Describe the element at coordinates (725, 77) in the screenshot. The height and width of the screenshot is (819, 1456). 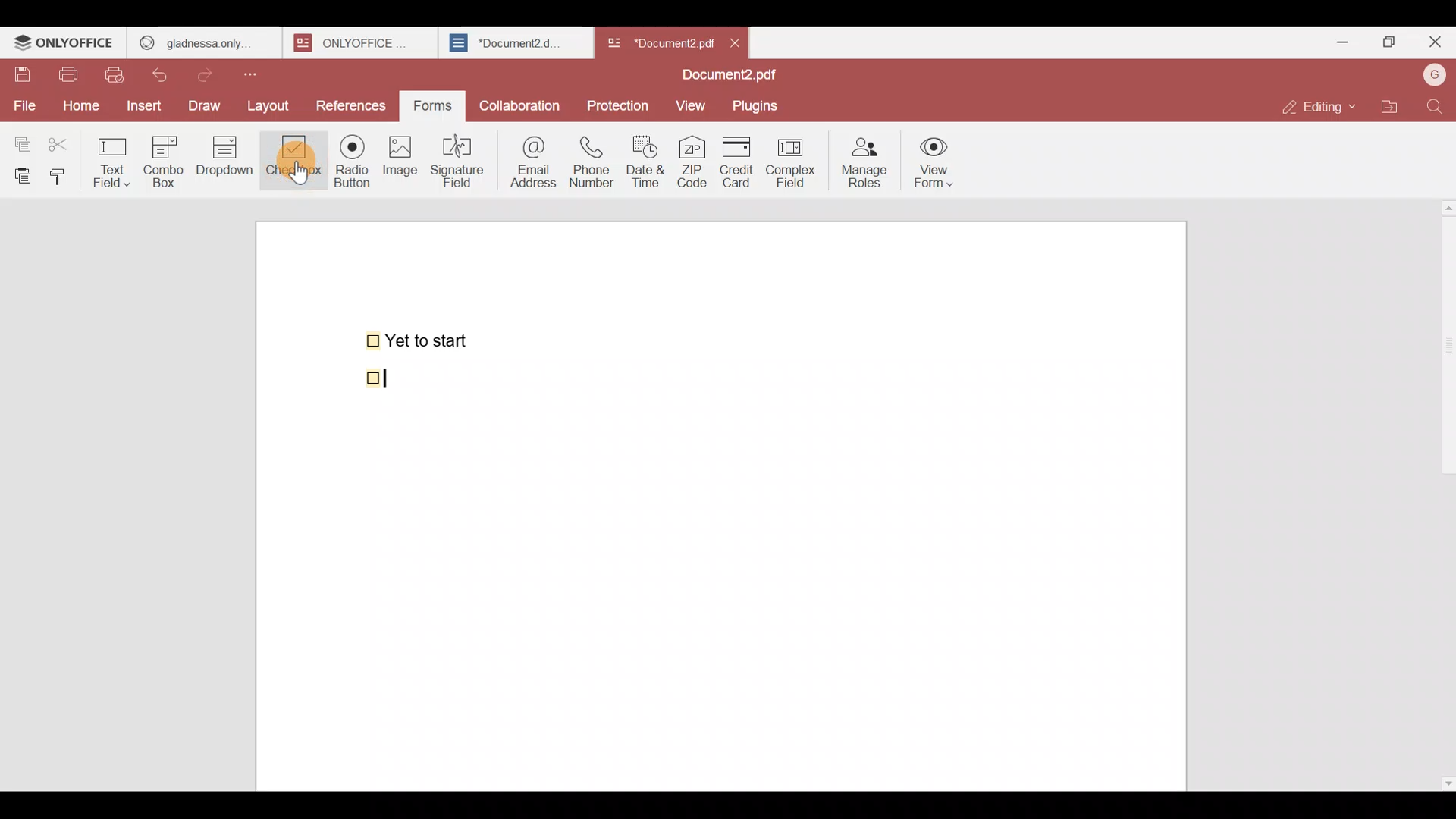
I see `Document2.pdf` at that location.